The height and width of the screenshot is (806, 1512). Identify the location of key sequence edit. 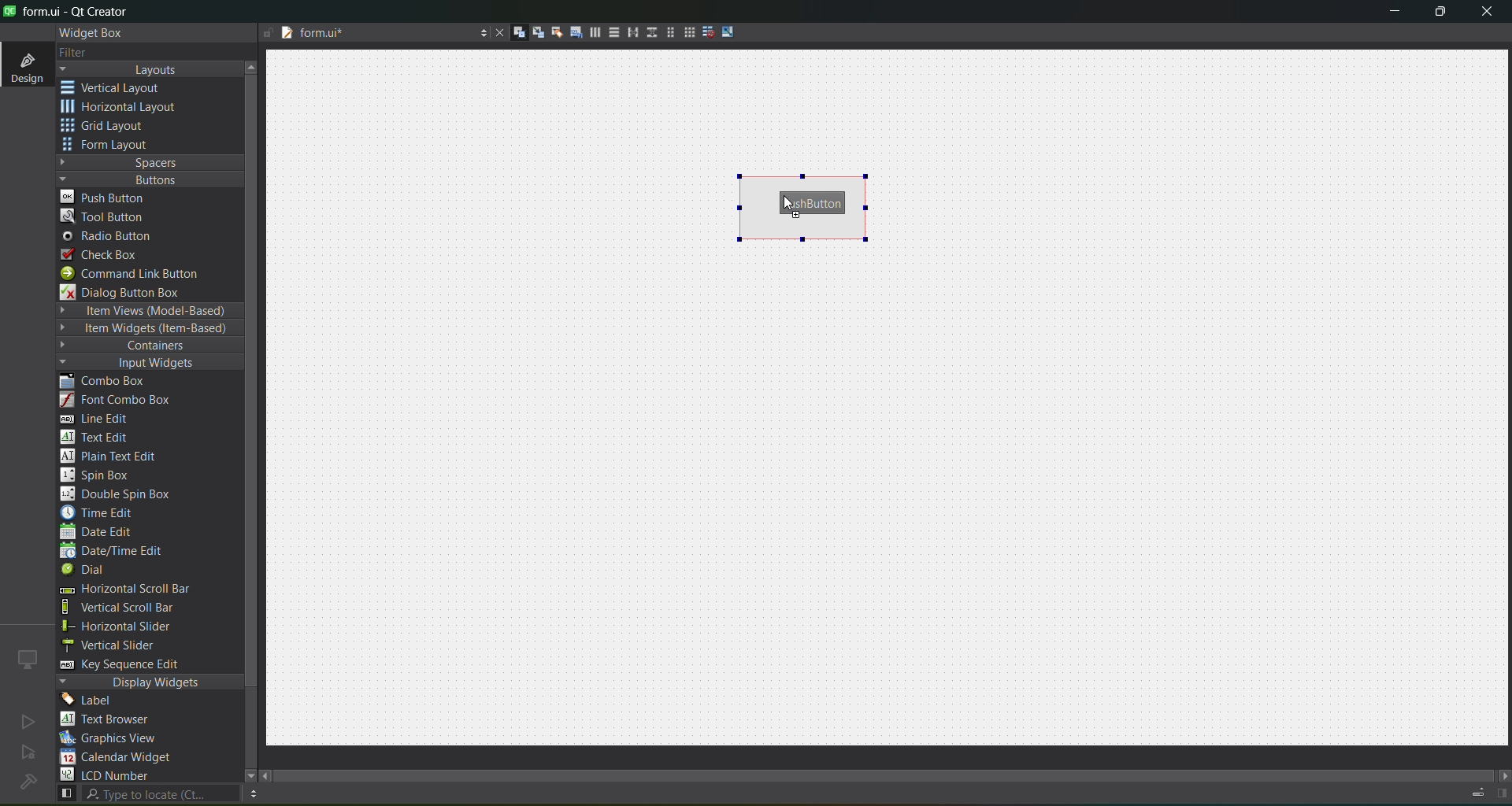
(131, 665).